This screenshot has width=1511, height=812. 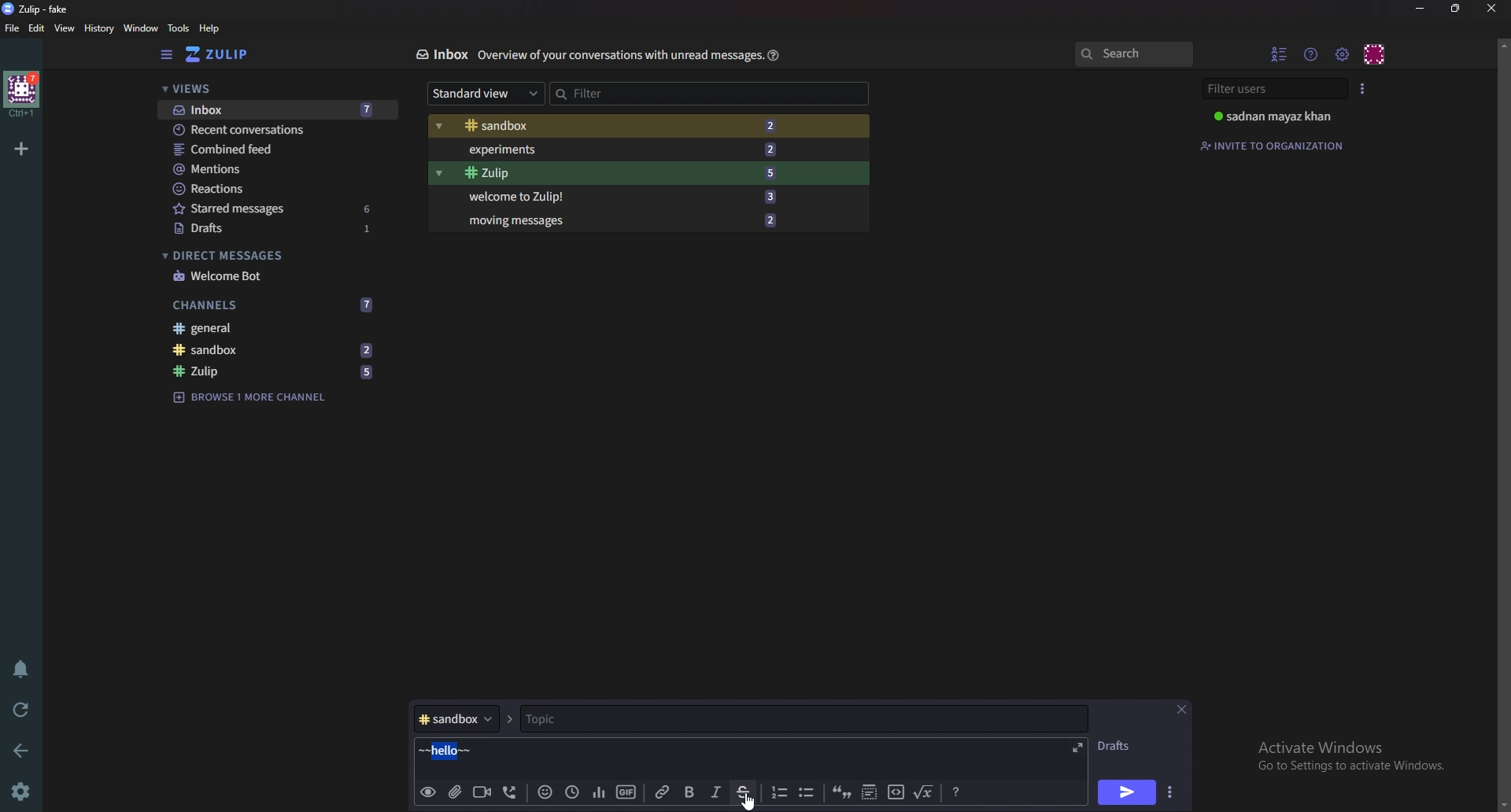 What do you see at coordinates (272, 370) in the screenshot?
I see `Zulip` at bounding box center [272, 370].